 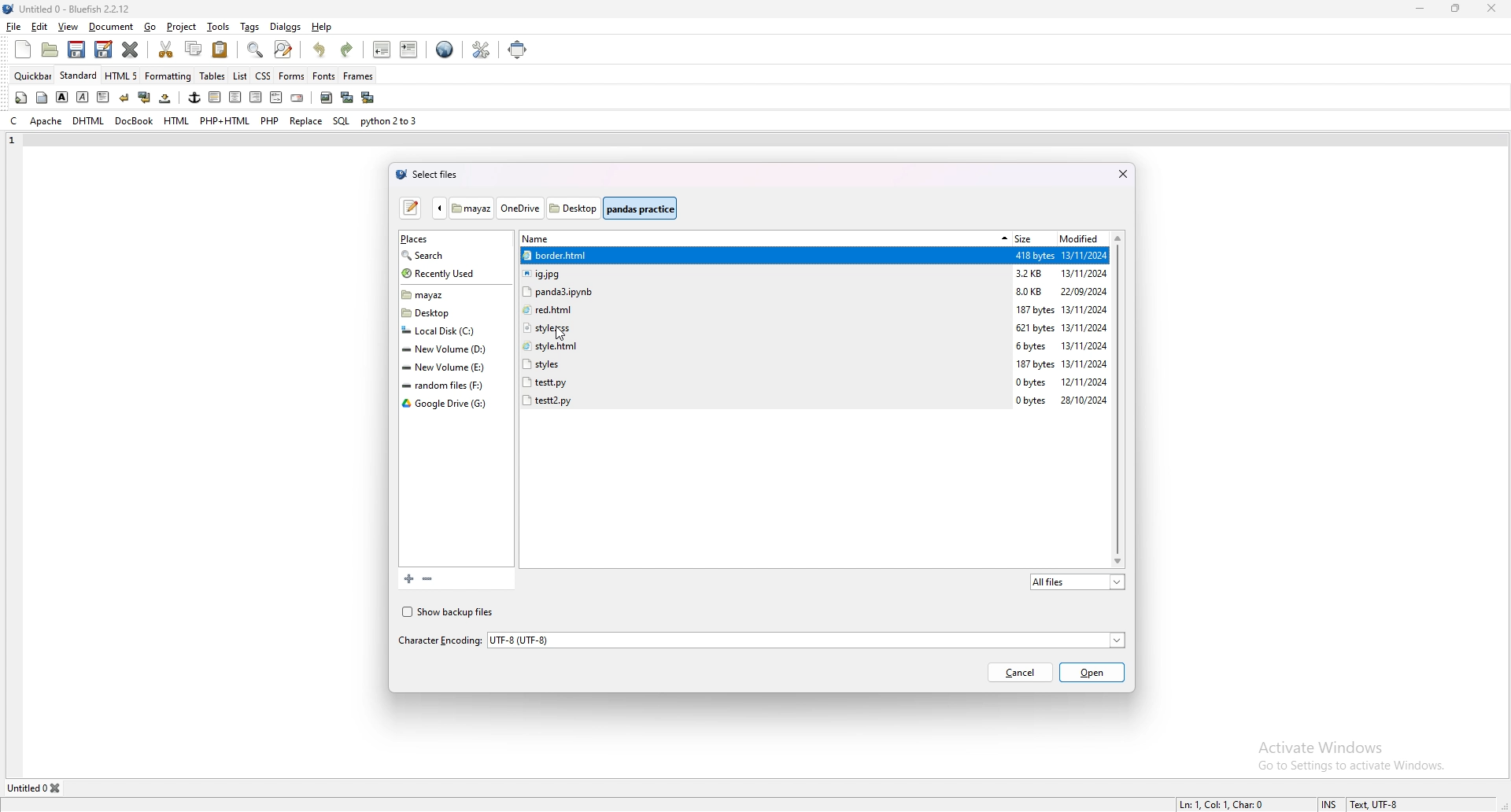 What do you see at coordinates (1020, 674) in the screenshot?
I see `cancel` at bounding box center [1020, 674].